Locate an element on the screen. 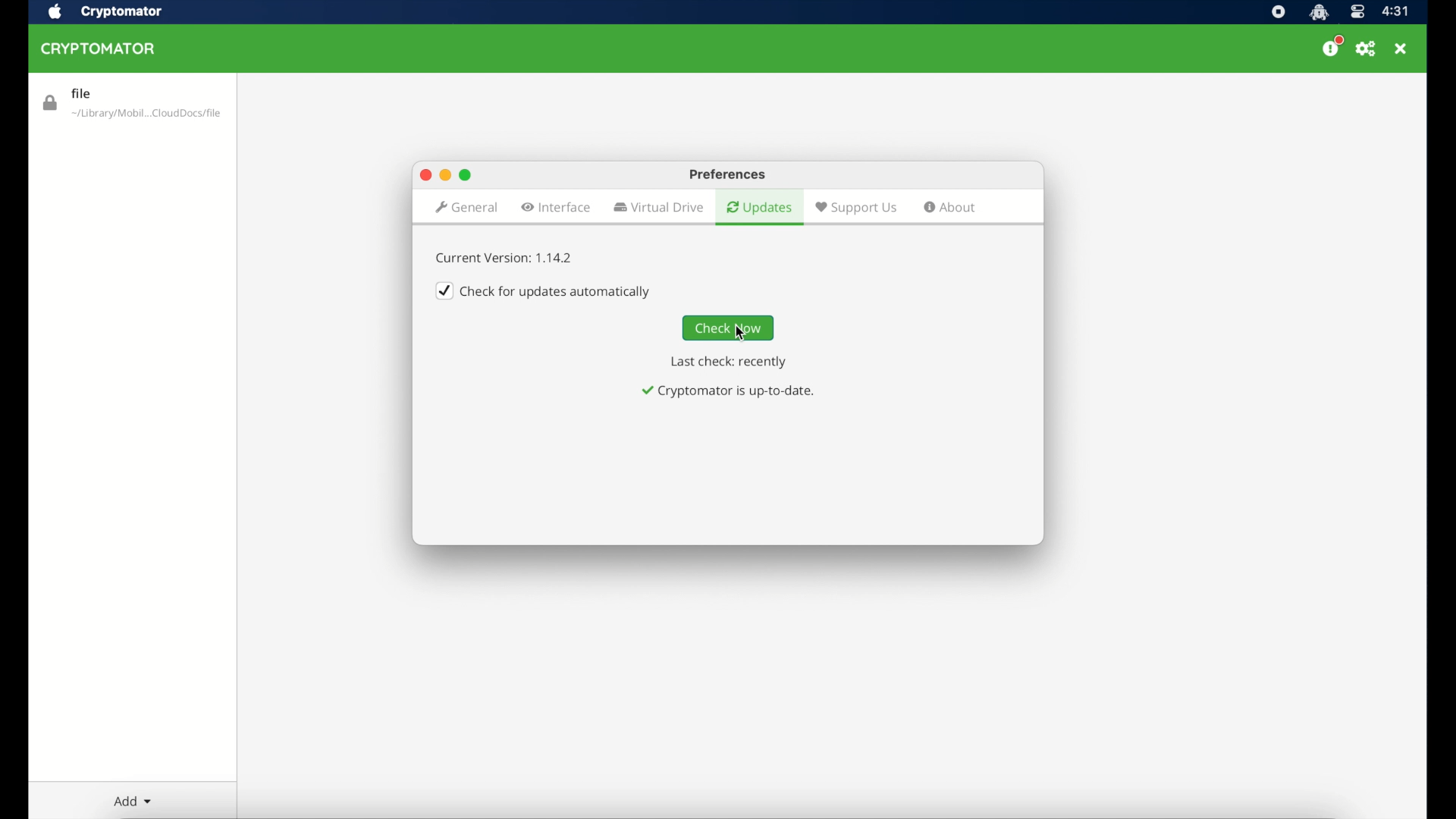  apple icon is located at coordinates (56, 12).